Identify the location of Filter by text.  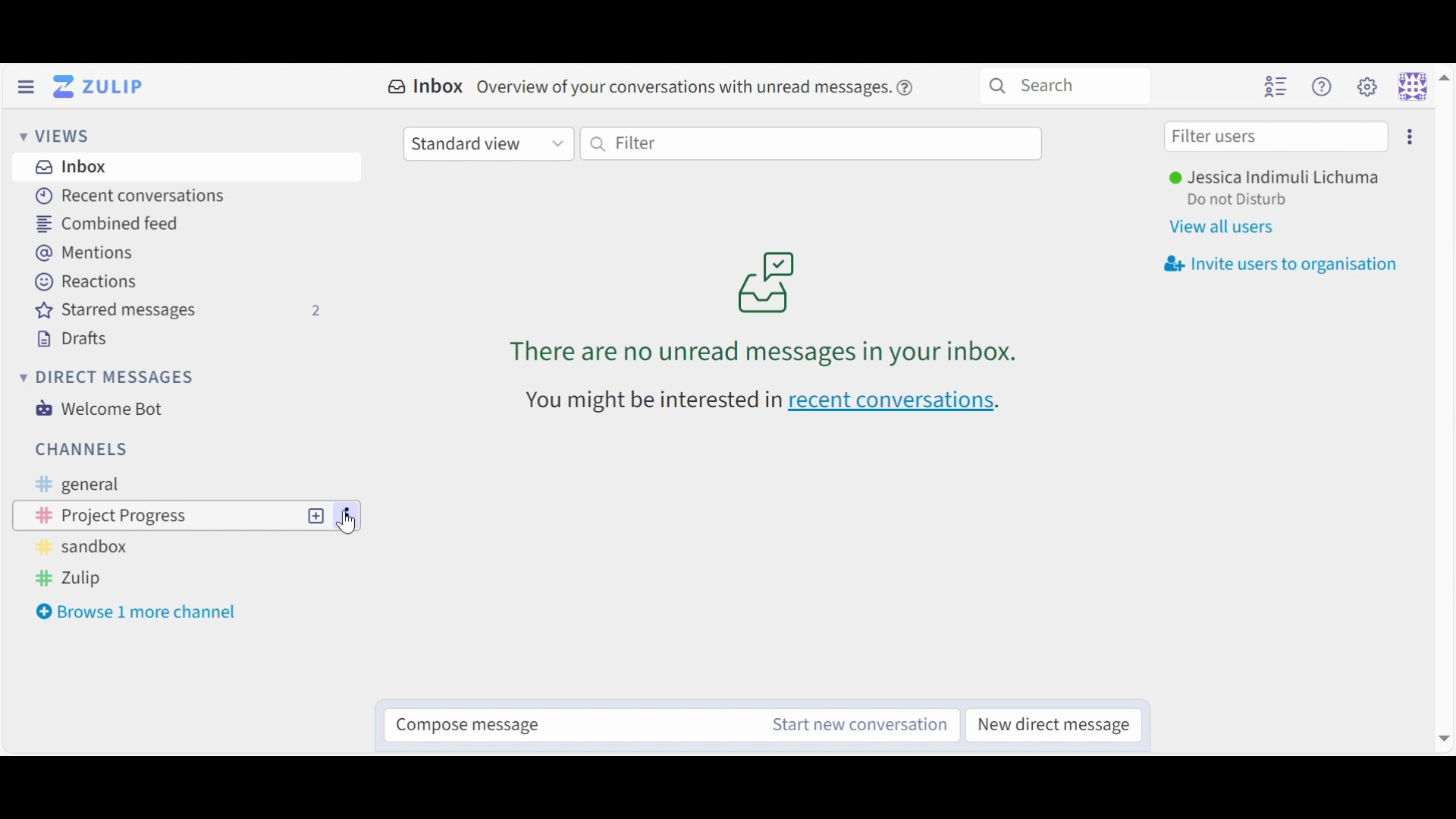
(811, 145).